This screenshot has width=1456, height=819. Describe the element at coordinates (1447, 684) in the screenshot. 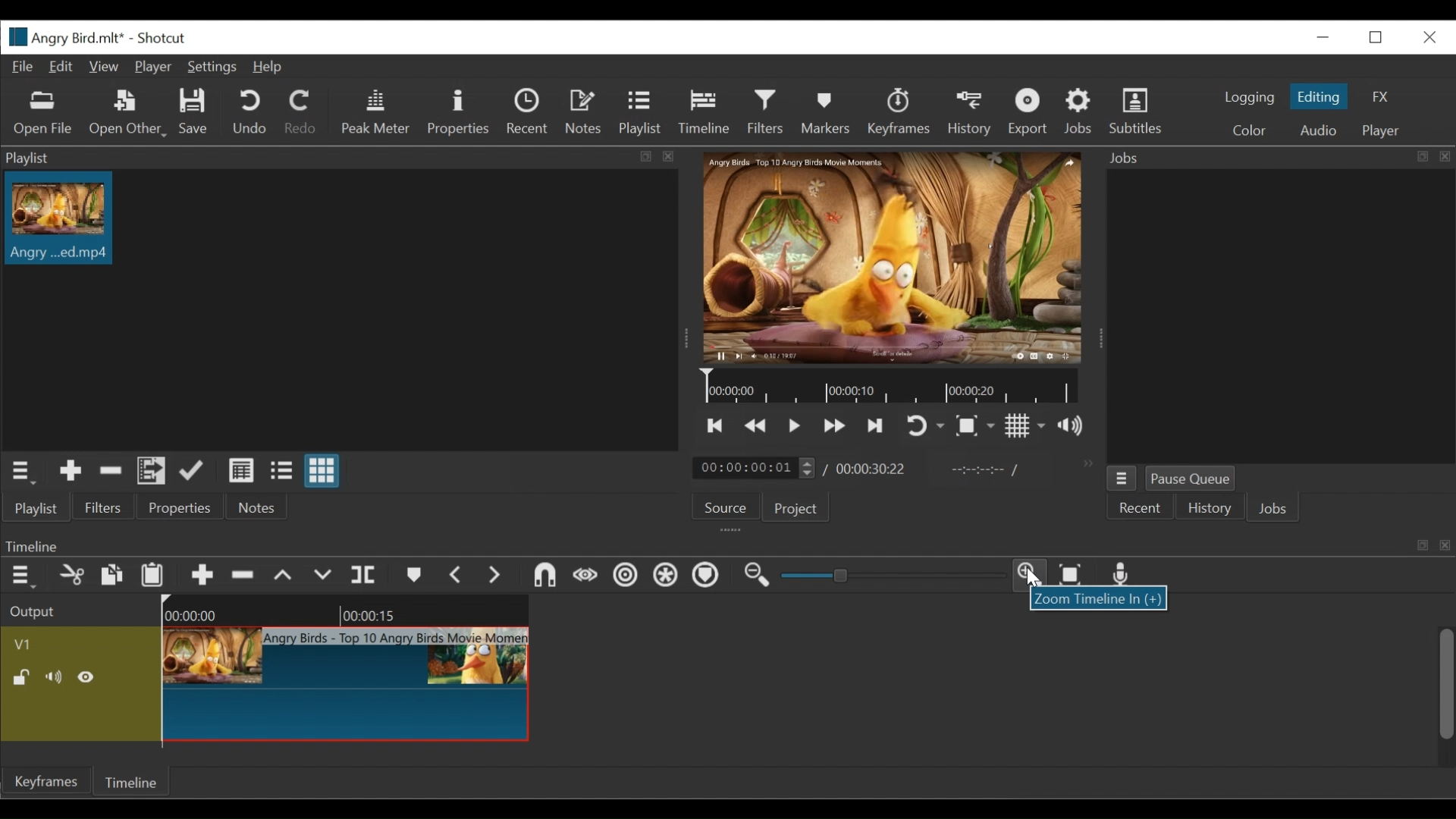

I see `scroll bar` at that location.